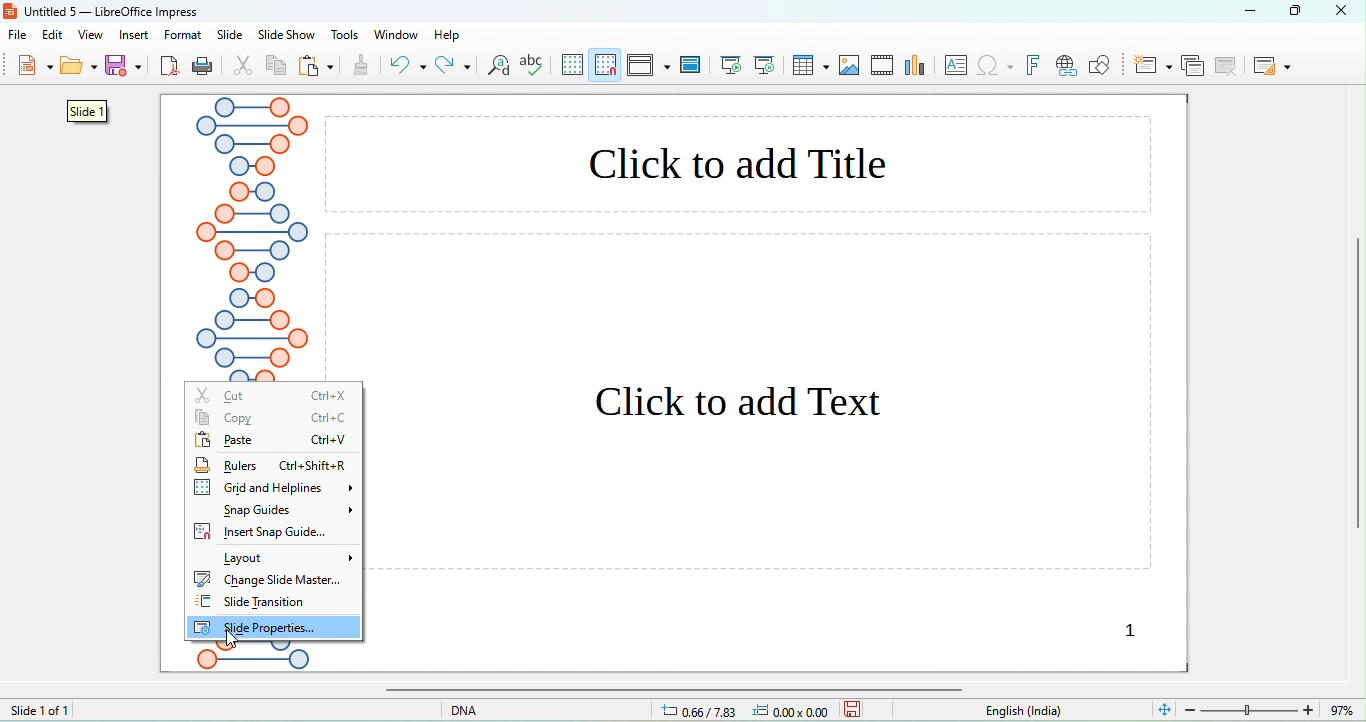 The height and width of the screenshot is (722, 1366). I want to click on fontwork text, so click(1035, 65).